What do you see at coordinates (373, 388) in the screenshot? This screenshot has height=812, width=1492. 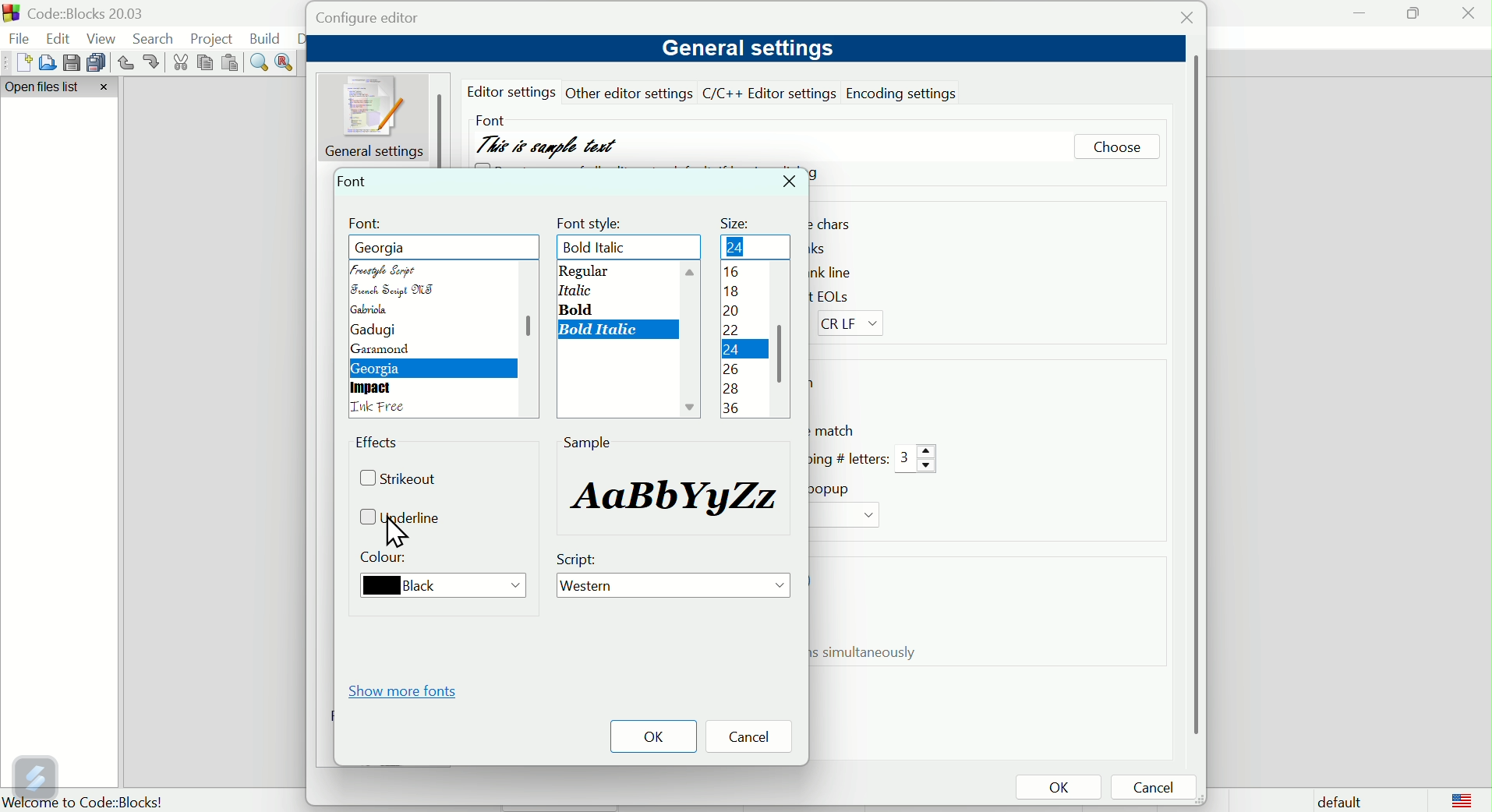 I see `Impact` at bounding box center [373, 388].